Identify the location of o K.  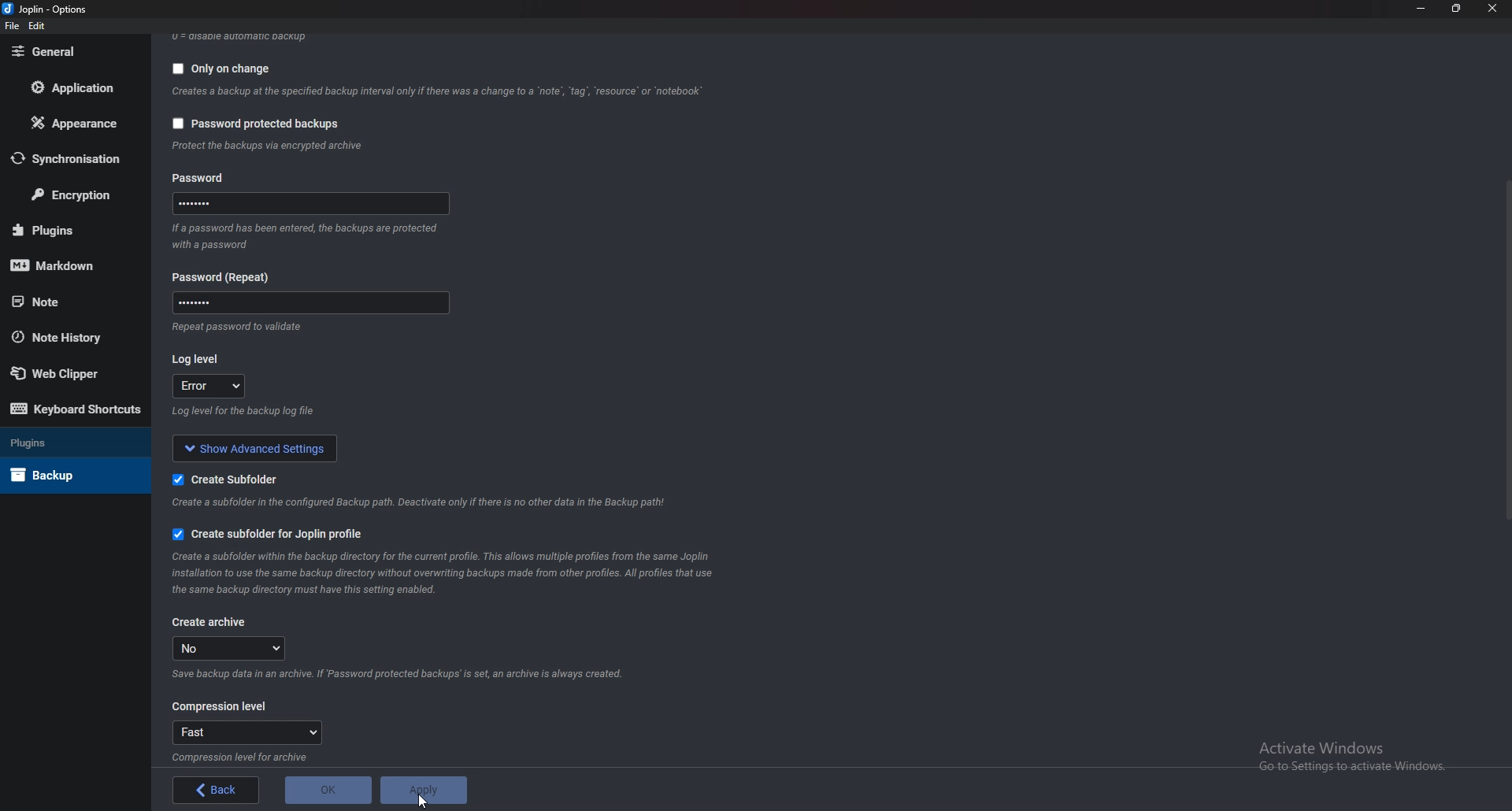
(329, 791).